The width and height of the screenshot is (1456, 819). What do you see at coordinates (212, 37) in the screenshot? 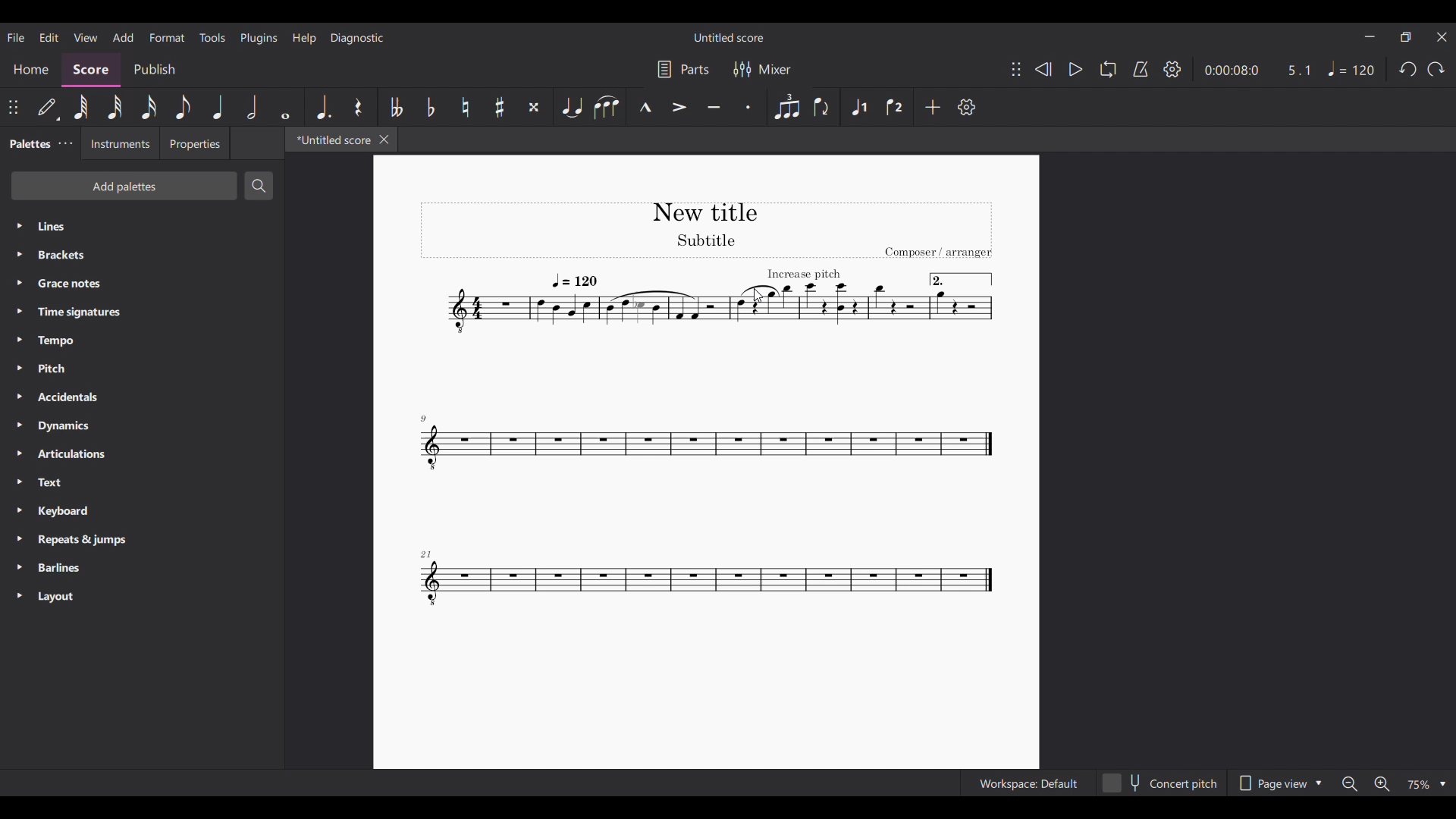
I see `Tools menu` at bounding box center [212, 37].